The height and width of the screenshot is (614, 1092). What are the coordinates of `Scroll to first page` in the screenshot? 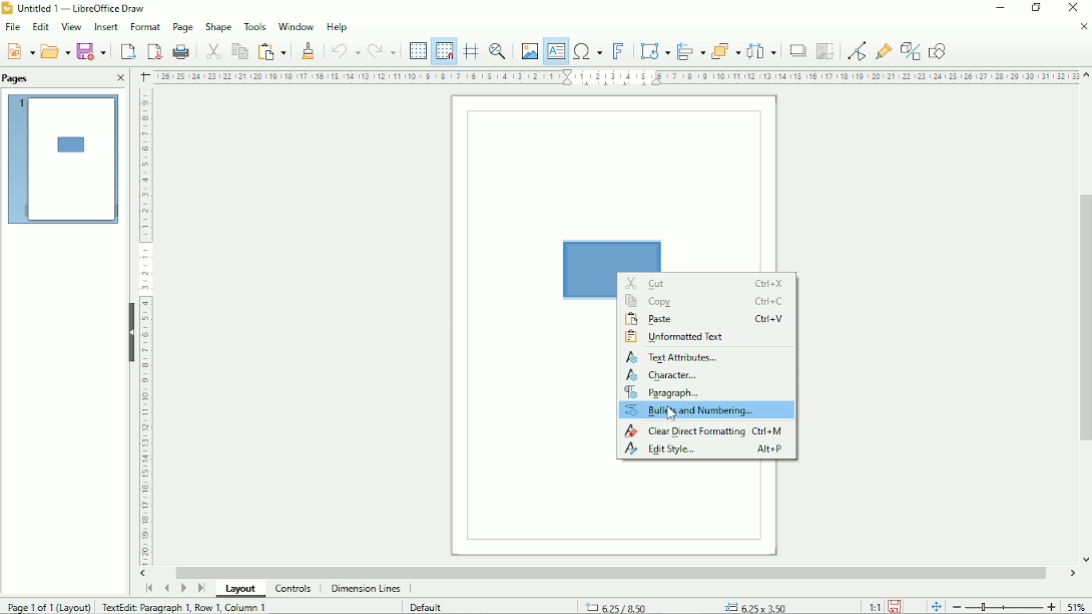 It's located at (149, 587).